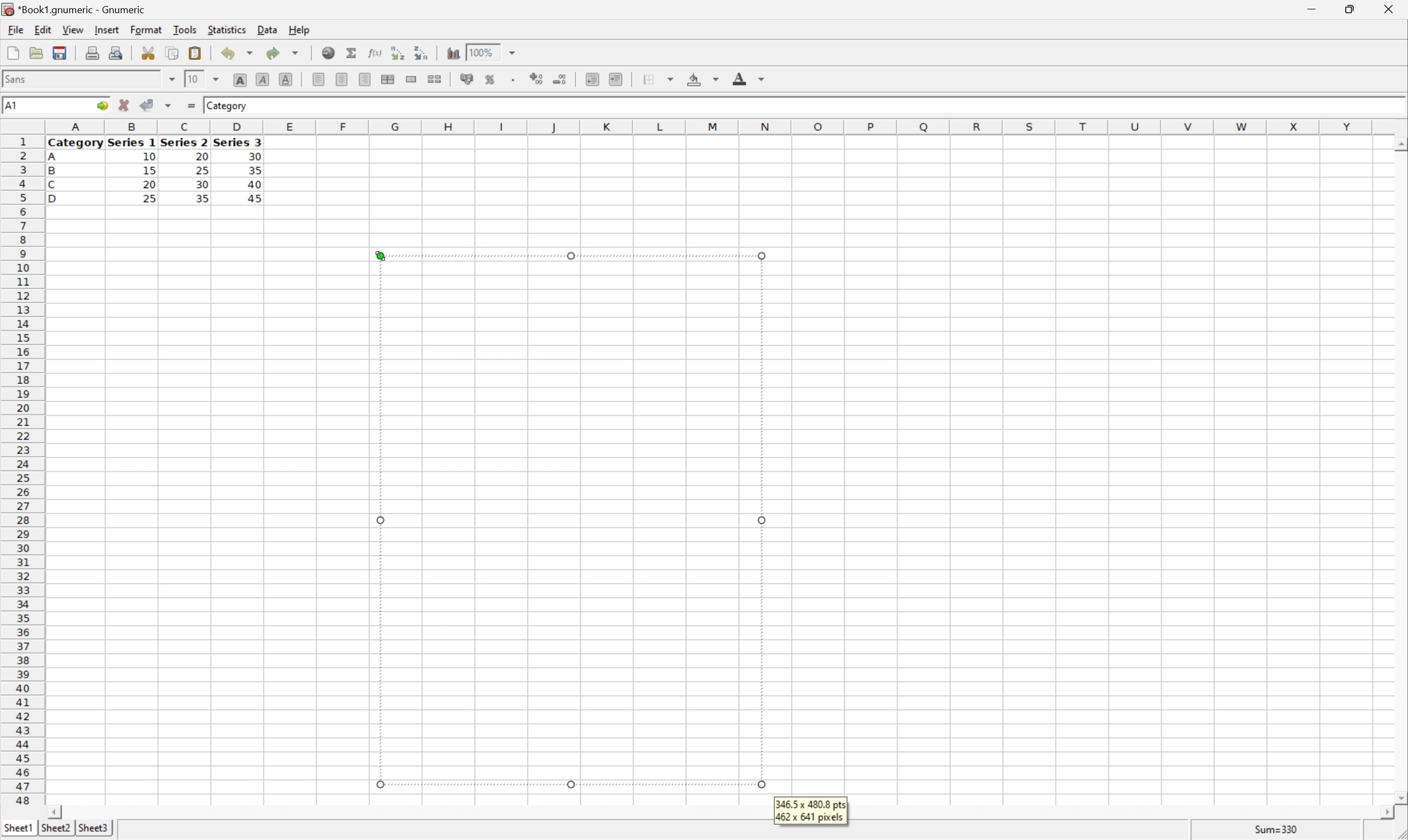 The height and width of the screenshot is (840, 1408). What do you see at coordinates (117, 53) in the screenshot?
I see `Print preview` at bounding box center [117, 53].